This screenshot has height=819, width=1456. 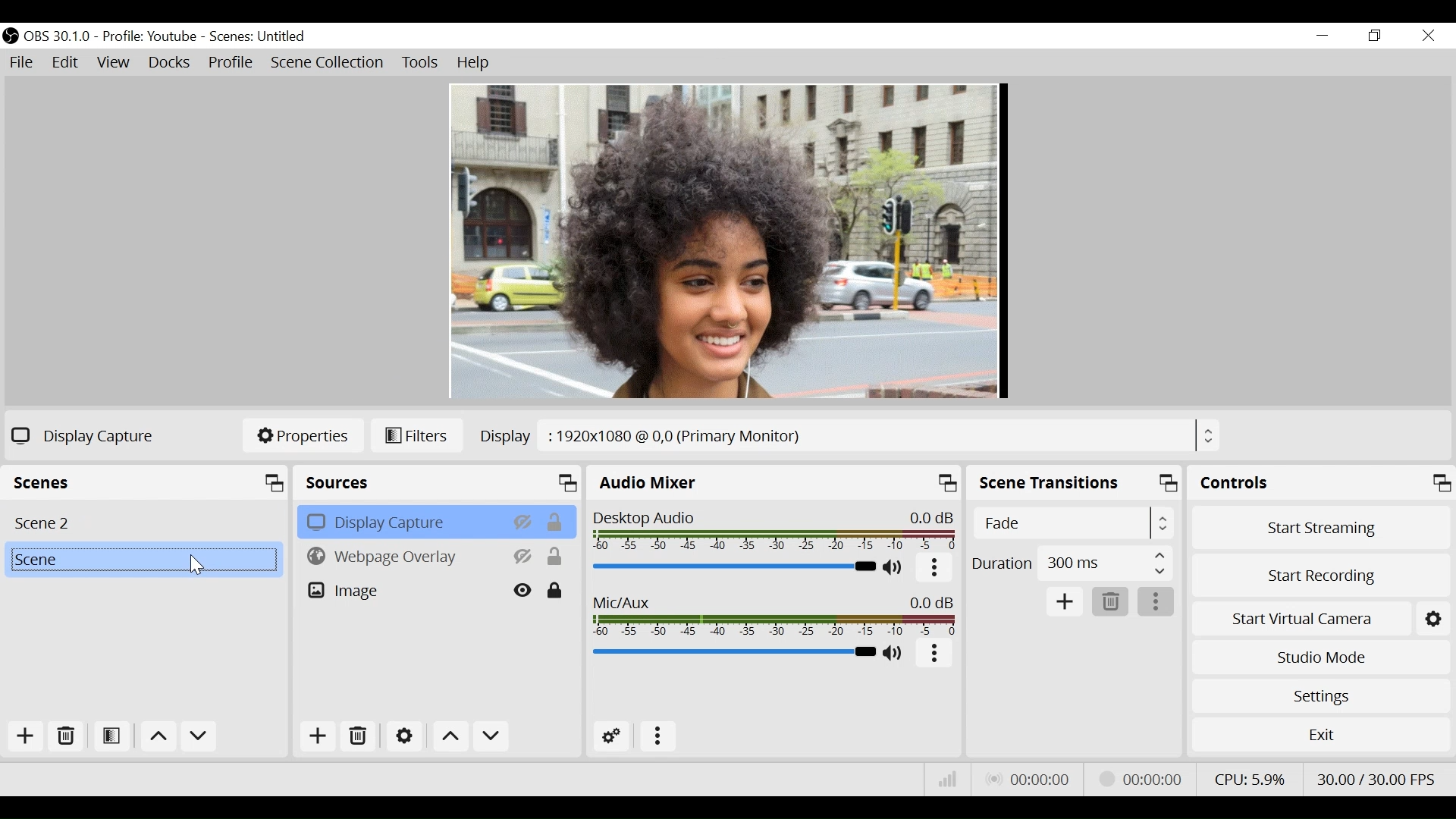 I want to click on Display Capture, so click(x=87, y=435).